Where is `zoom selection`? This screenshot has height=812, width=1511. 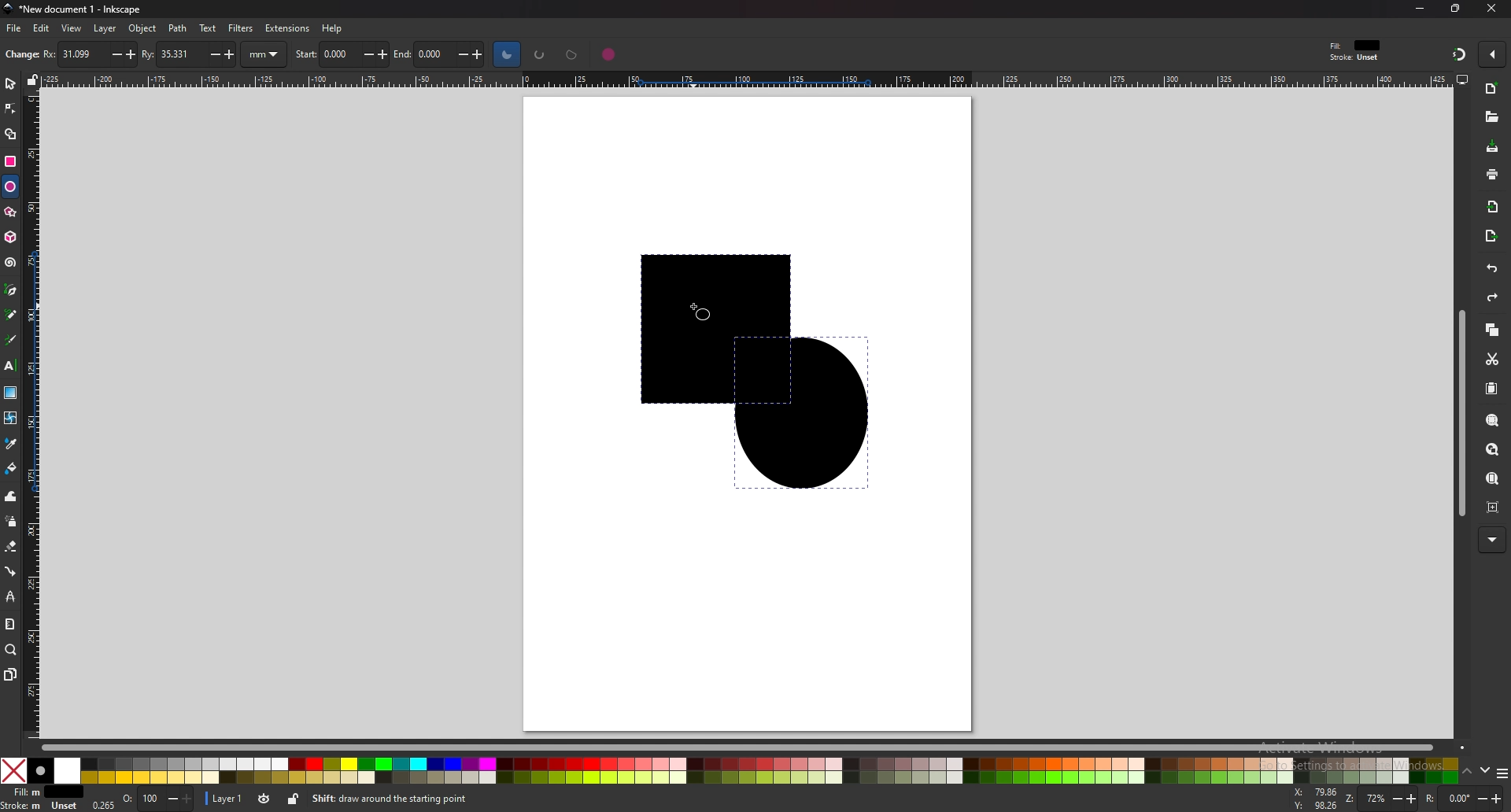
zoom selection is located at coordinates (1492, 419).